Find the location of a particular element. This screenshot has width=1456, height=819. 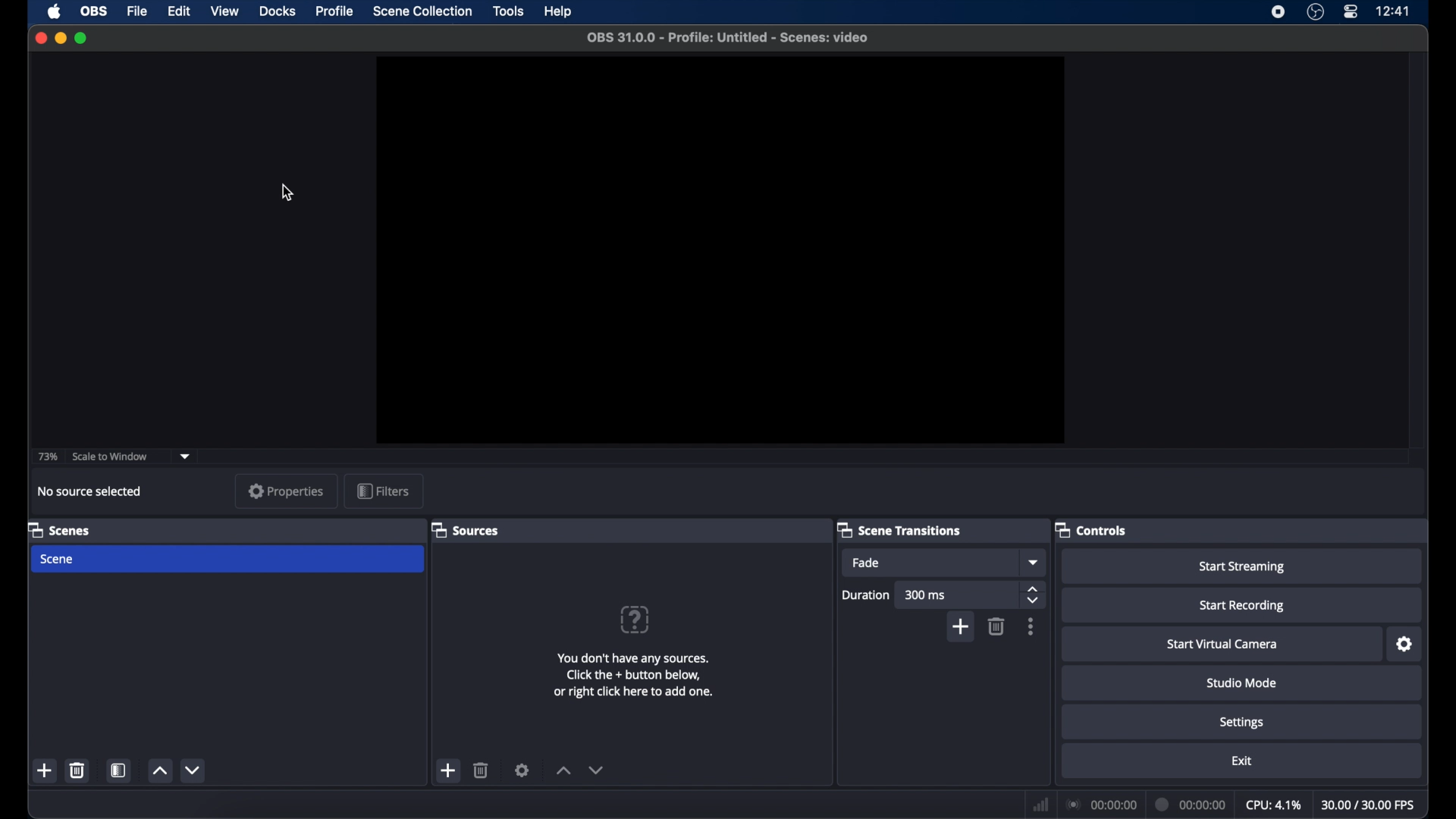

OBS 31.0.0 - Profile: Untitled - Scenes: video is located at coordinates (726, 38).